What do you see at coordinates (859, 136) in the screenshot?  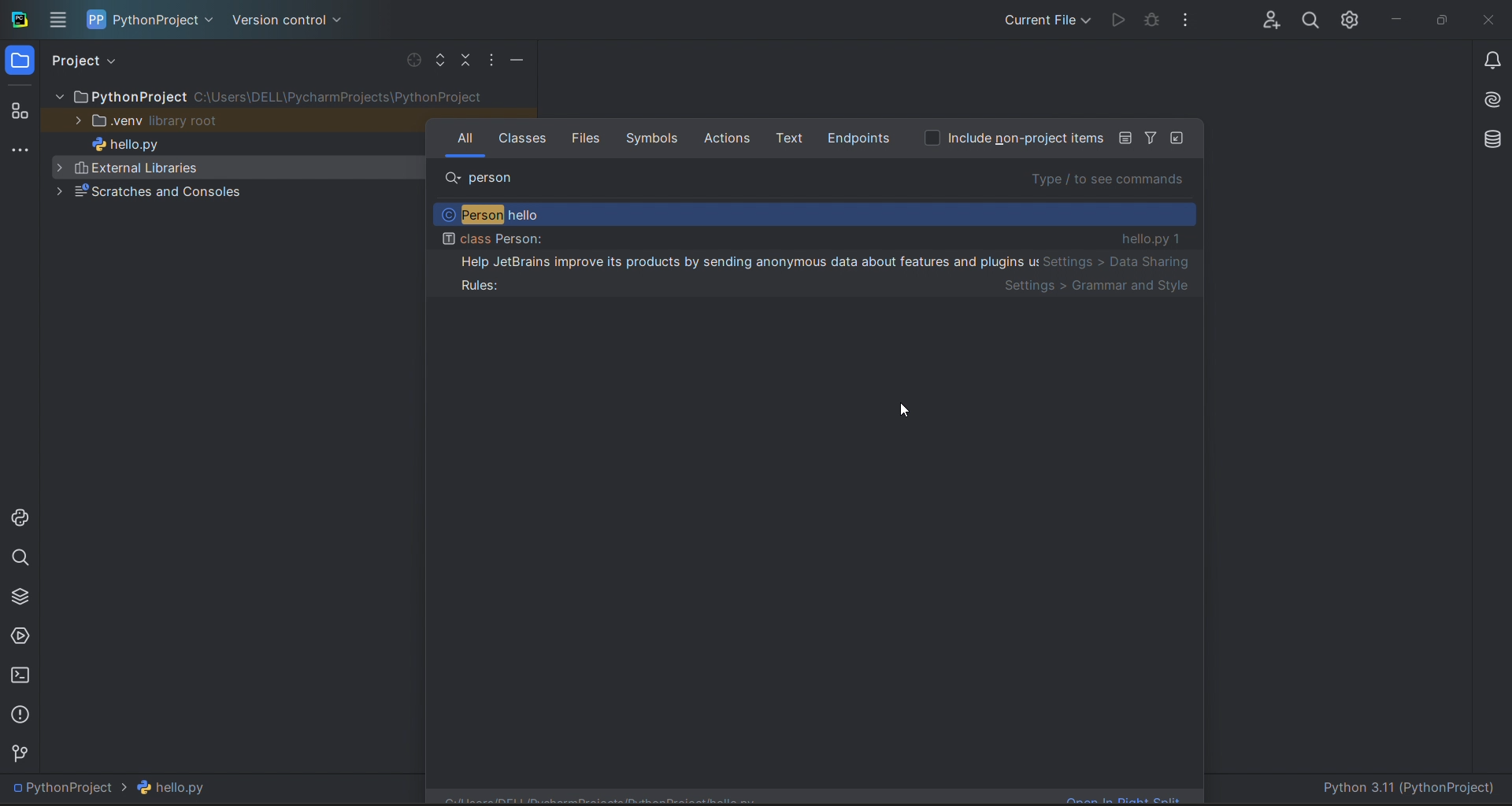 I see `endpoints` at bounding box center [859, 136].